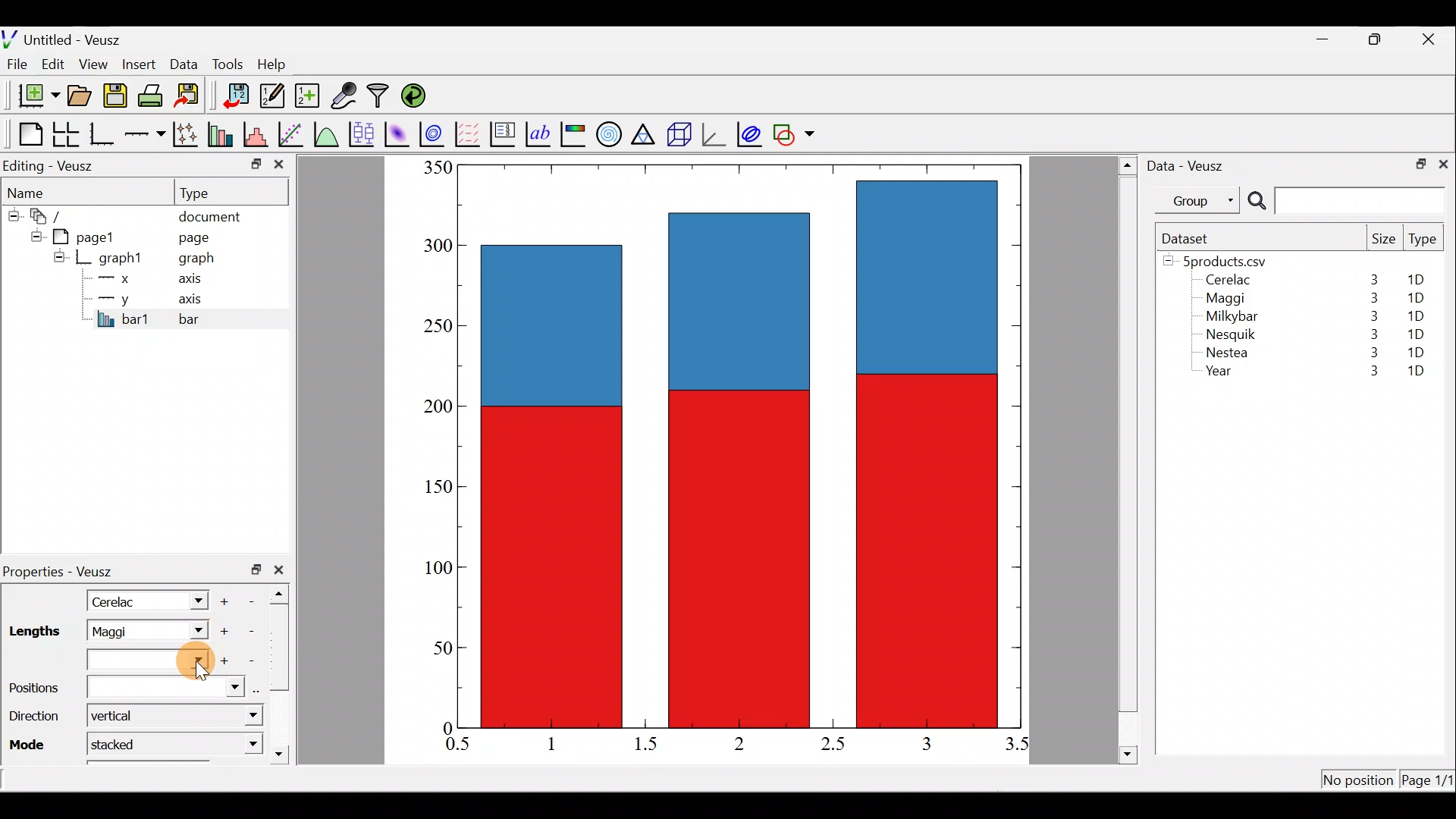 The height and width of the screenshot is (819, 1456). I want to click on Plot a vector field, so click(470, 134).